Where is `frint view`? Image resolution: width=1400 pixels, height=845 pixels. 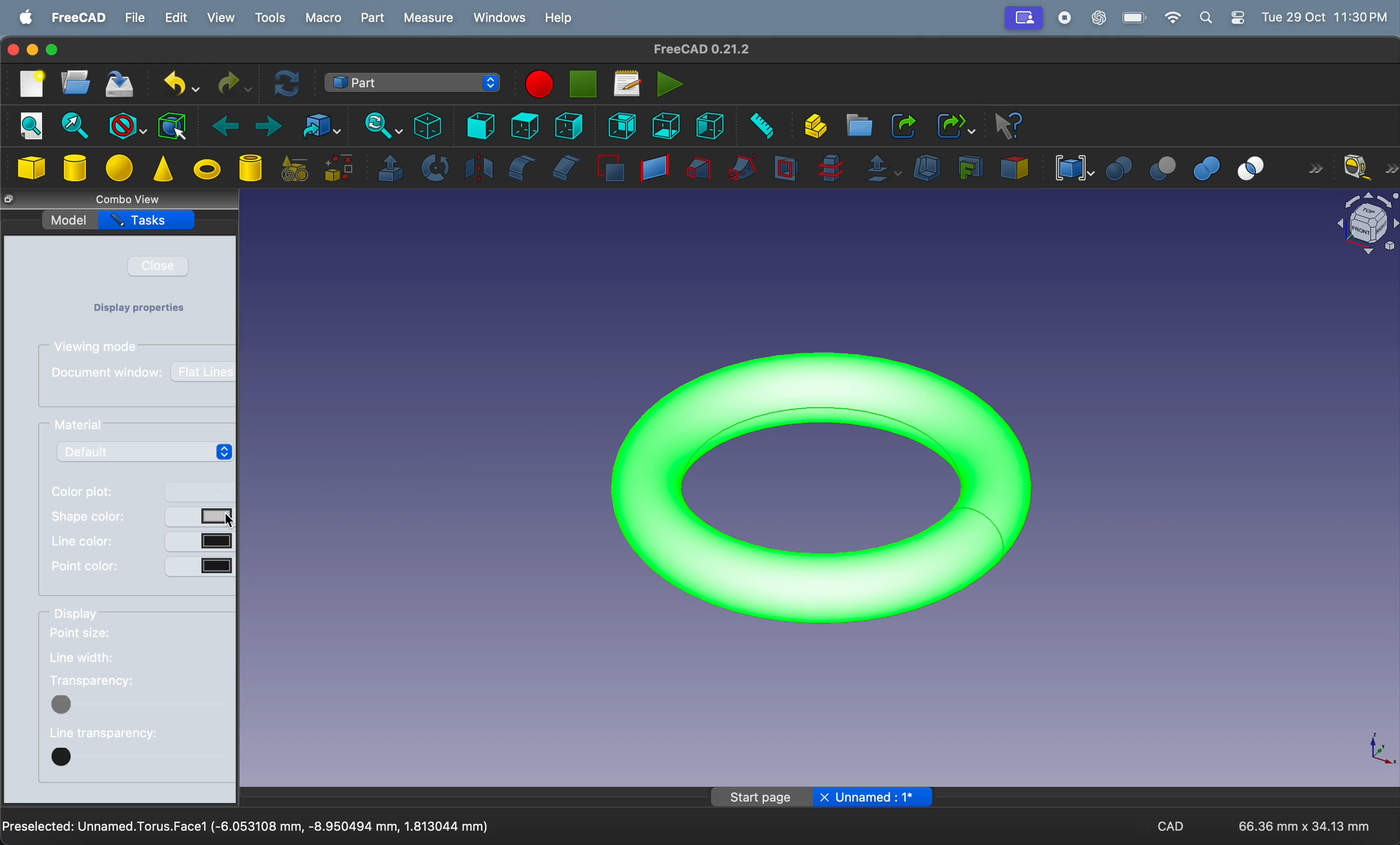 frint view is located at coordinates (476, 126).